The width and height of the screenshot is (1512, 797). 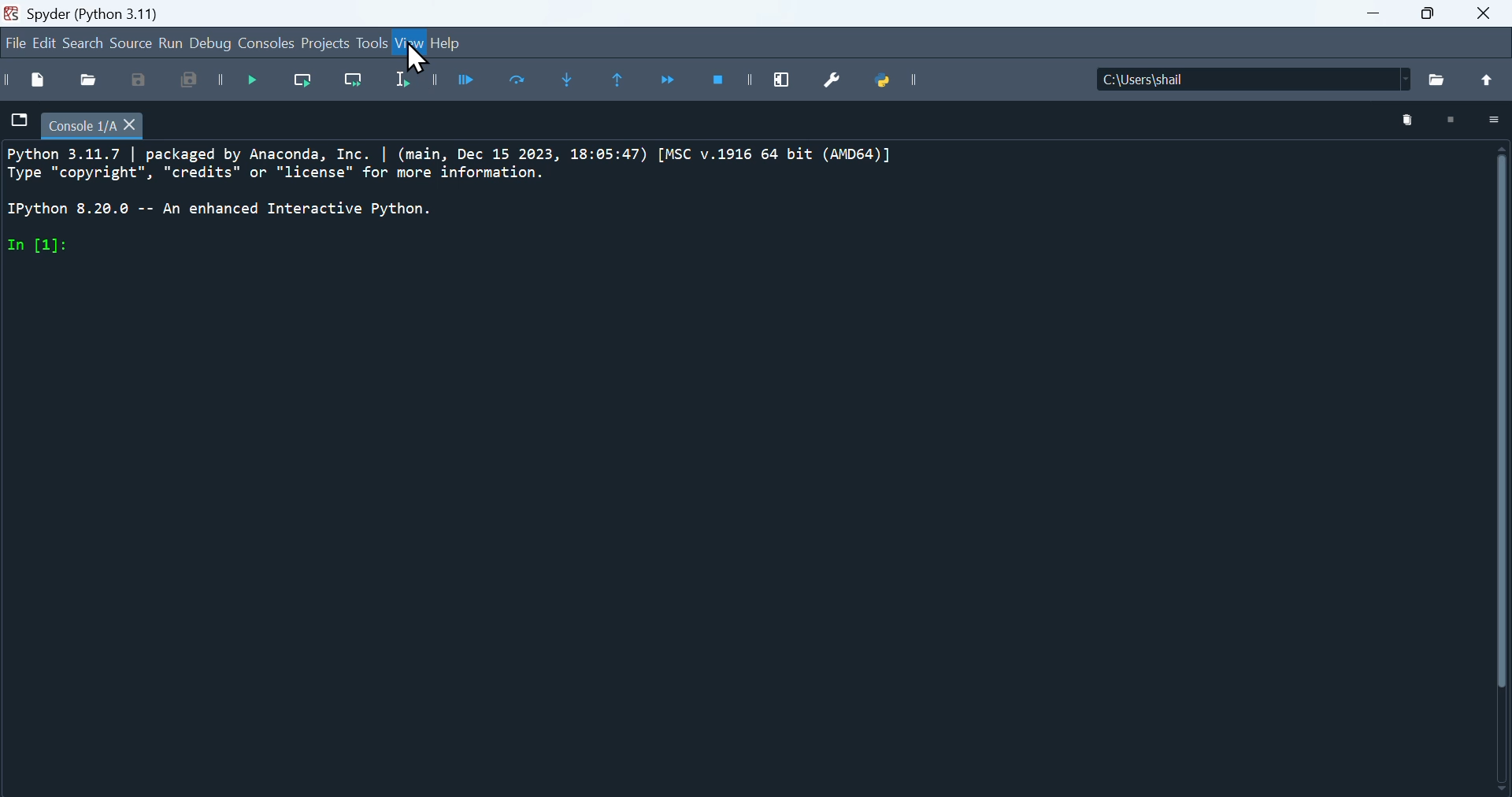 What do you see at coordinates (1434, 21) in the screenshot?
I see `Maximise` at bounding box center [1434, 21].